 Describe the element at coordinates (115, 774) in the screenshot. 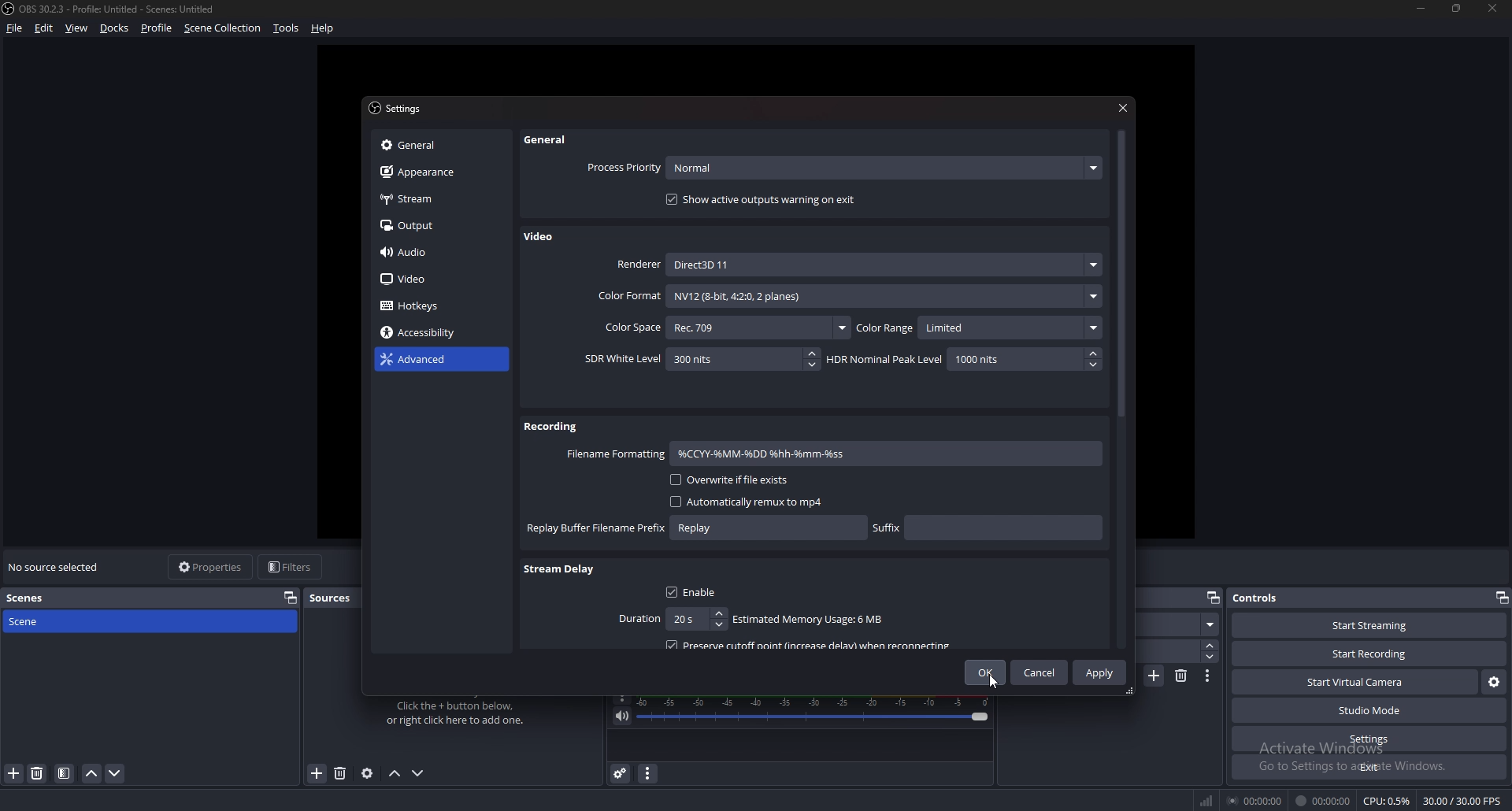

I see `move scene down` at that location.